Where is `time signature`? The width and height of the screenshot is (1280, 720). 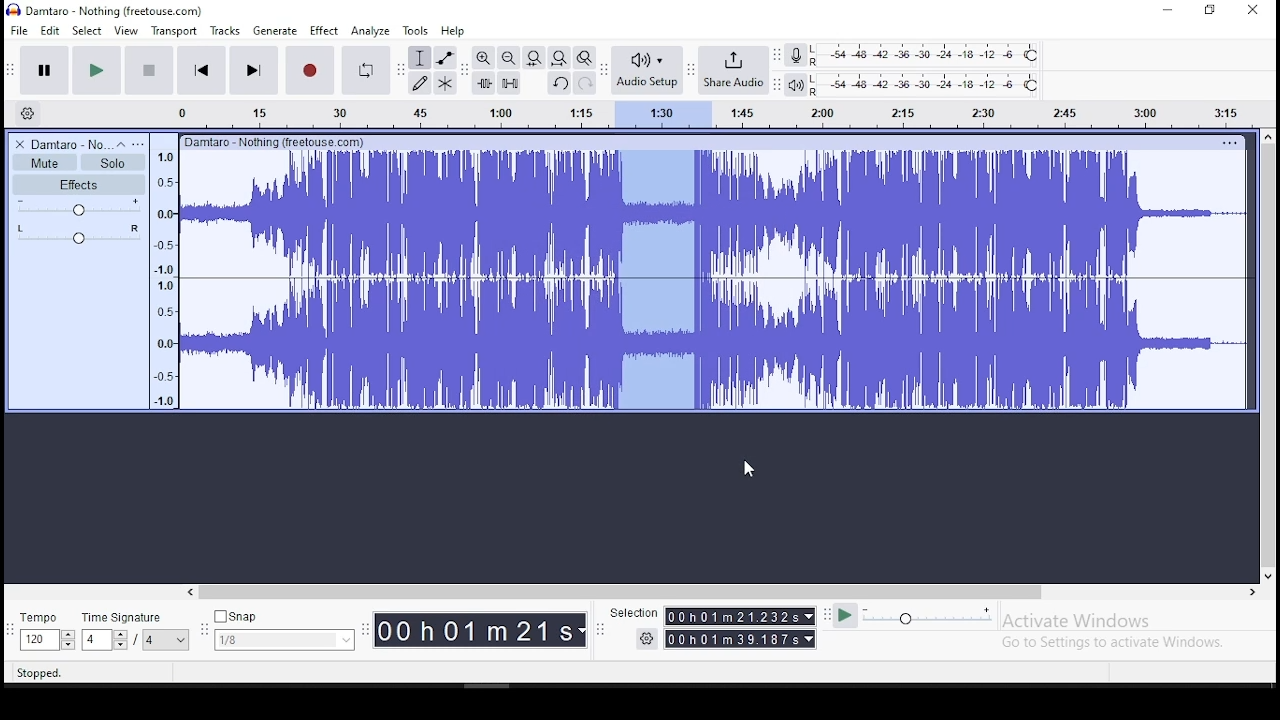 time signature is located at coordinates (135, 617).